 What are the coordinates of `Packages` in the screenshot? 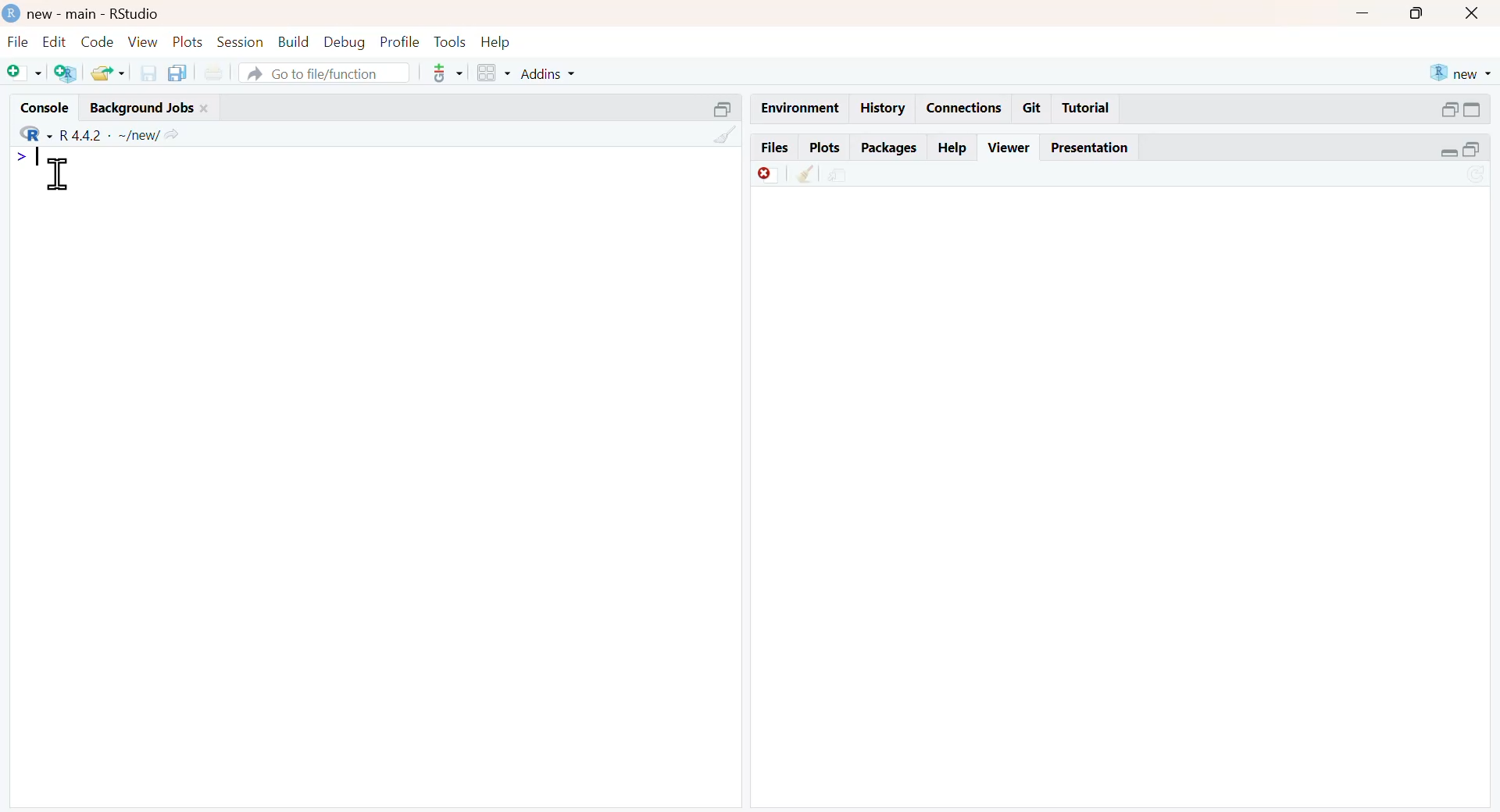 It's located at (891, 148).